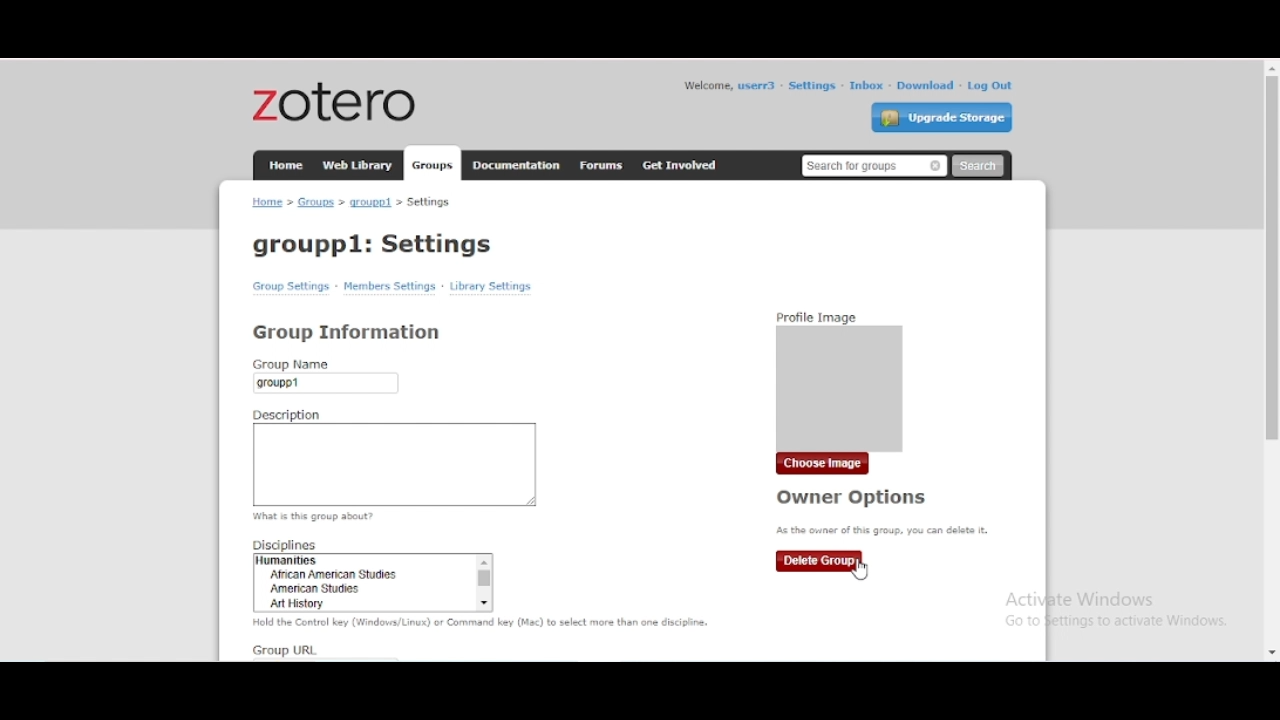  I want to click on groups, so click(431, 164).